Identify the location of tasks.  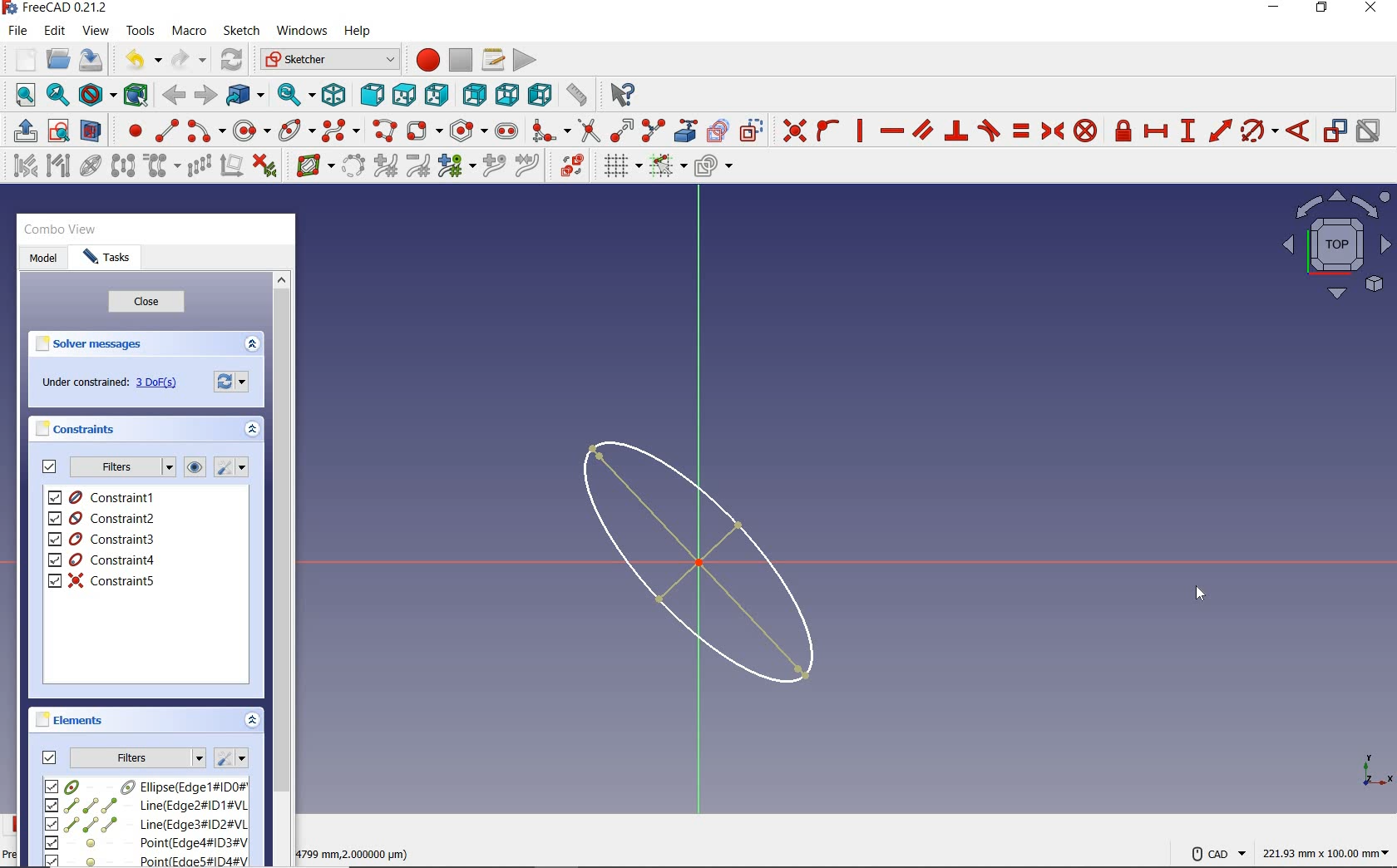
(107, 259).